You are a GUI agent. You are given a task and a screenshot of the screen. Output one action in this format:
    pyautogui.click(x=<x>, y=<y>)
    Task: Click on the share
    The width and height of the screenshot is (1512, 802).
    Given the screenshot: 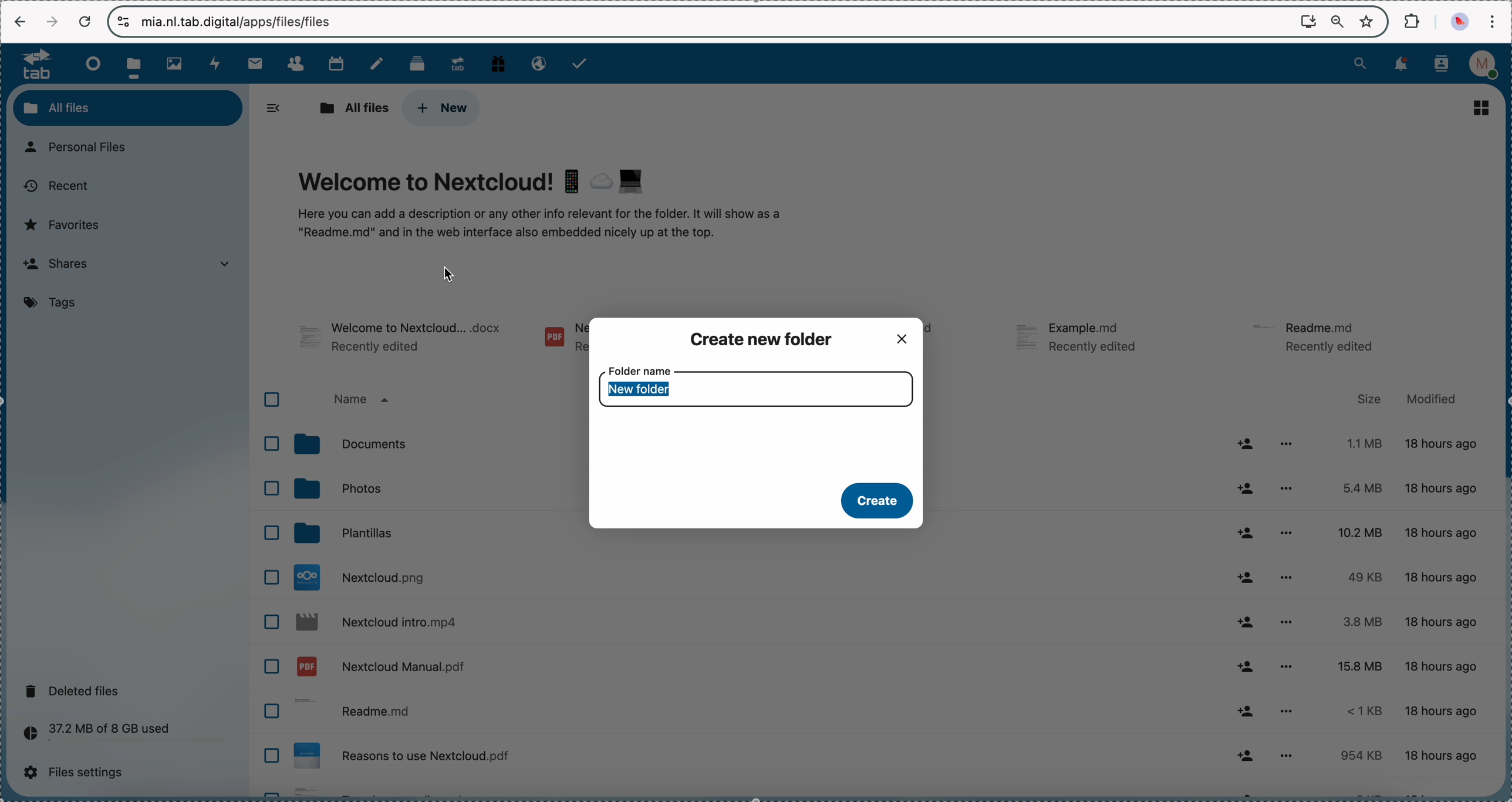 What is the action you would take?
    pyautogui.click(x=1245, y=443)
    